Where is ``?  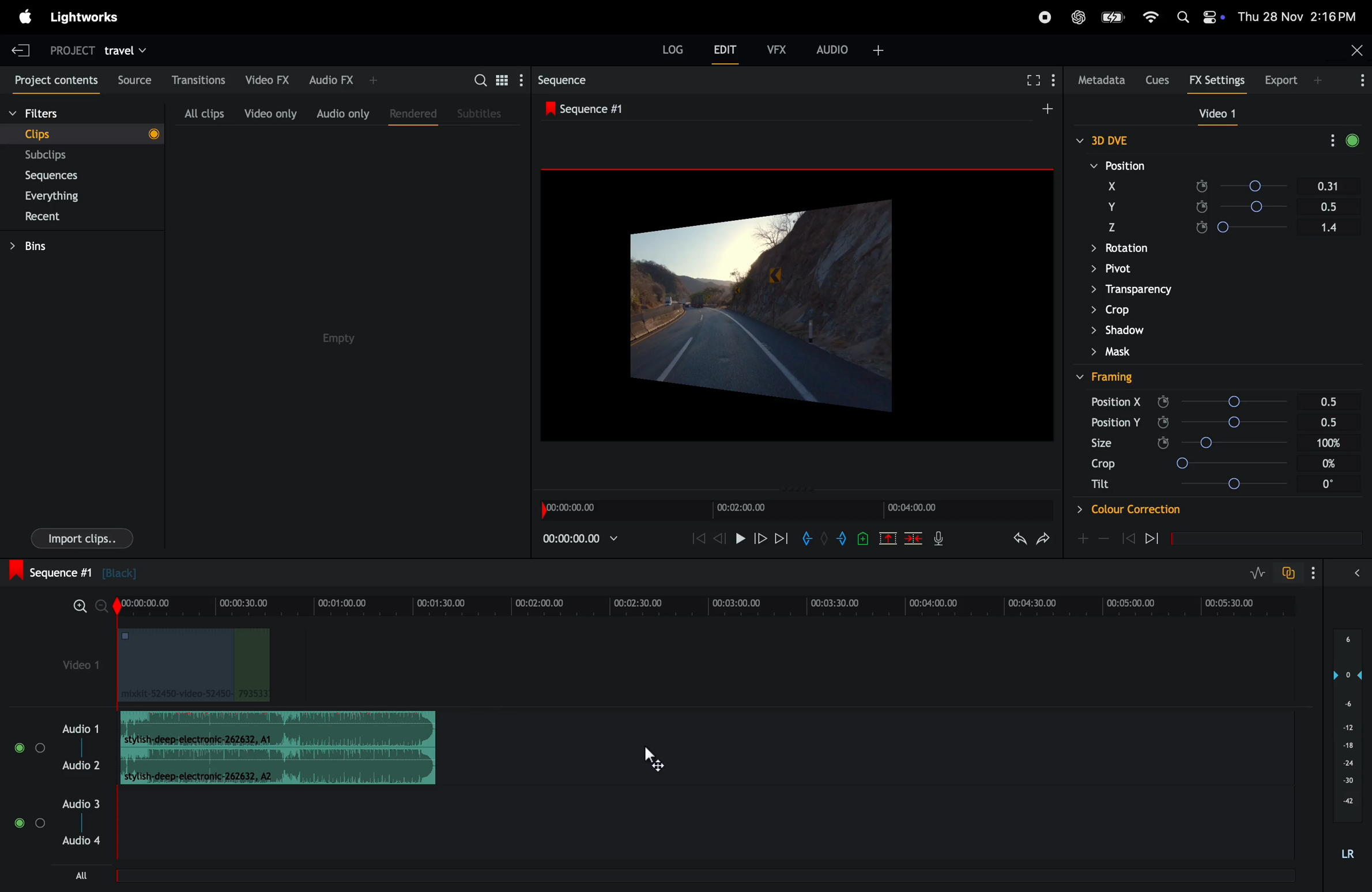
 is located at coordinates (1332, 400).